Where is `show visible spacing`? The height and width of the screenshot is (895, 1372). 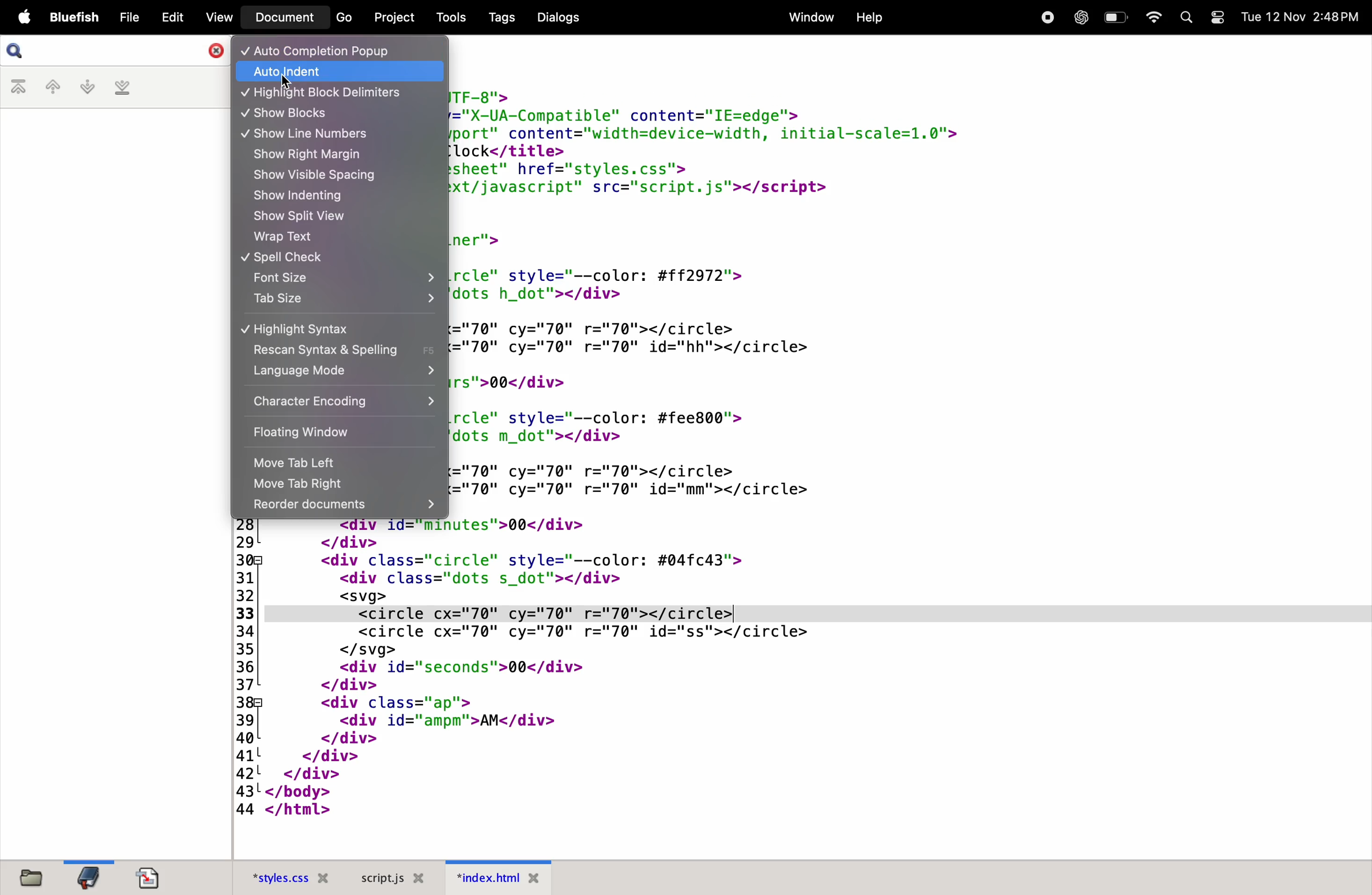
show visible spacing is located at coordinates (337, 176).